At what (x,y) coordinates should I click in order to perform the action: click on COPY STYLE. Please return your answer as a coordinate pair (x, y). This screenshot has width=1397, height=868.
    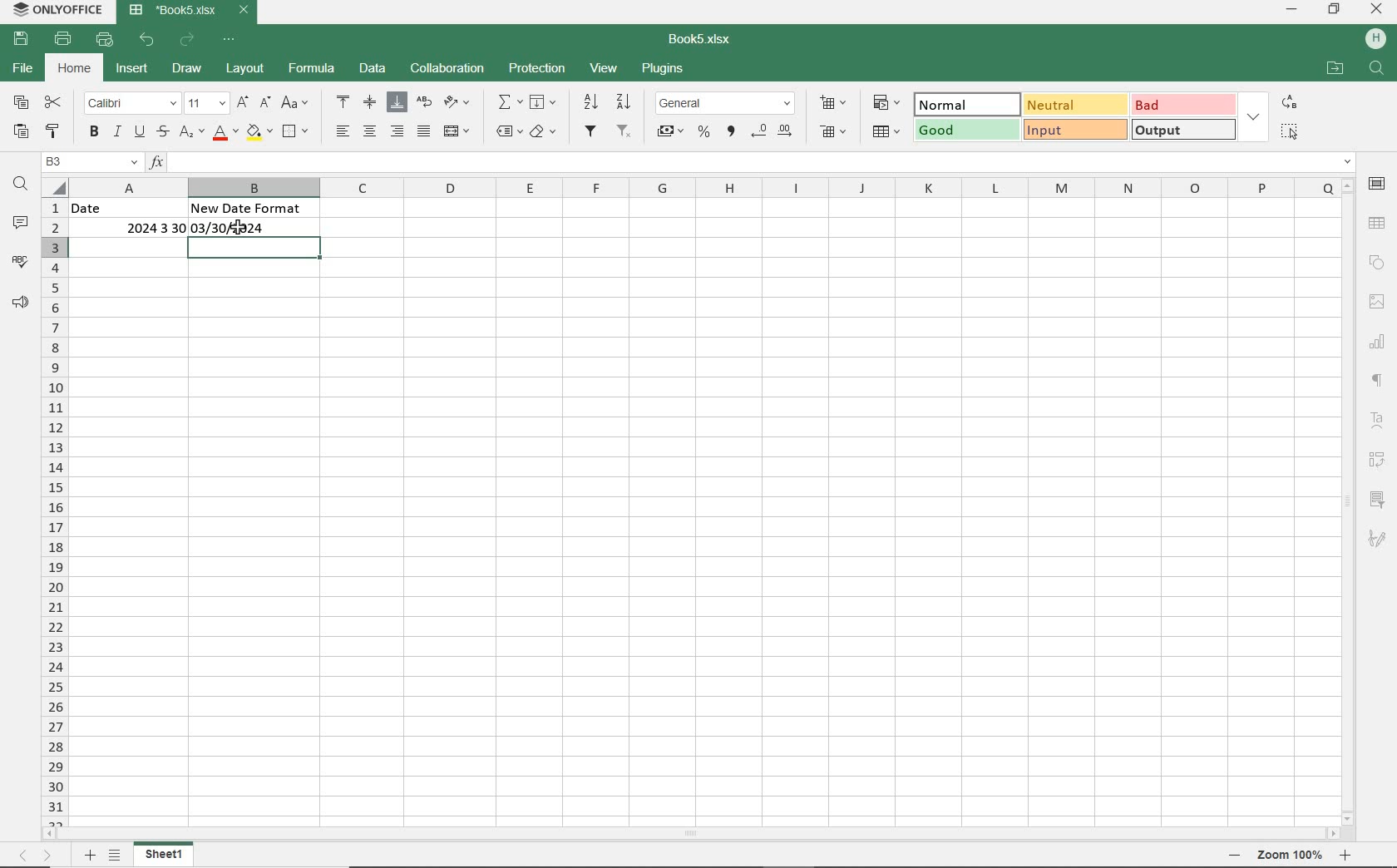
    Looking at the image, I should click on (55, 131).